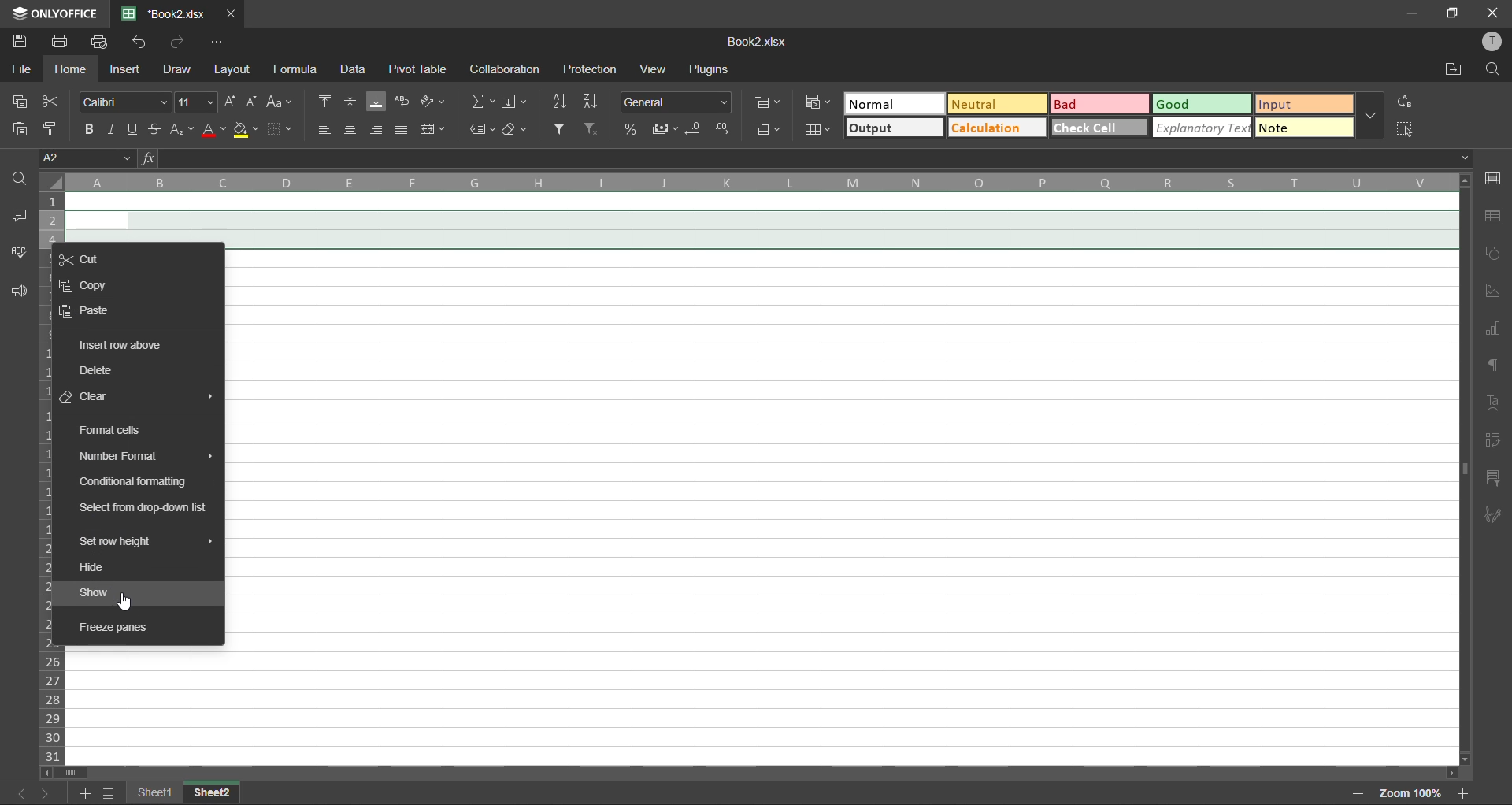  I want to click on shapes, so click(1490, 254).